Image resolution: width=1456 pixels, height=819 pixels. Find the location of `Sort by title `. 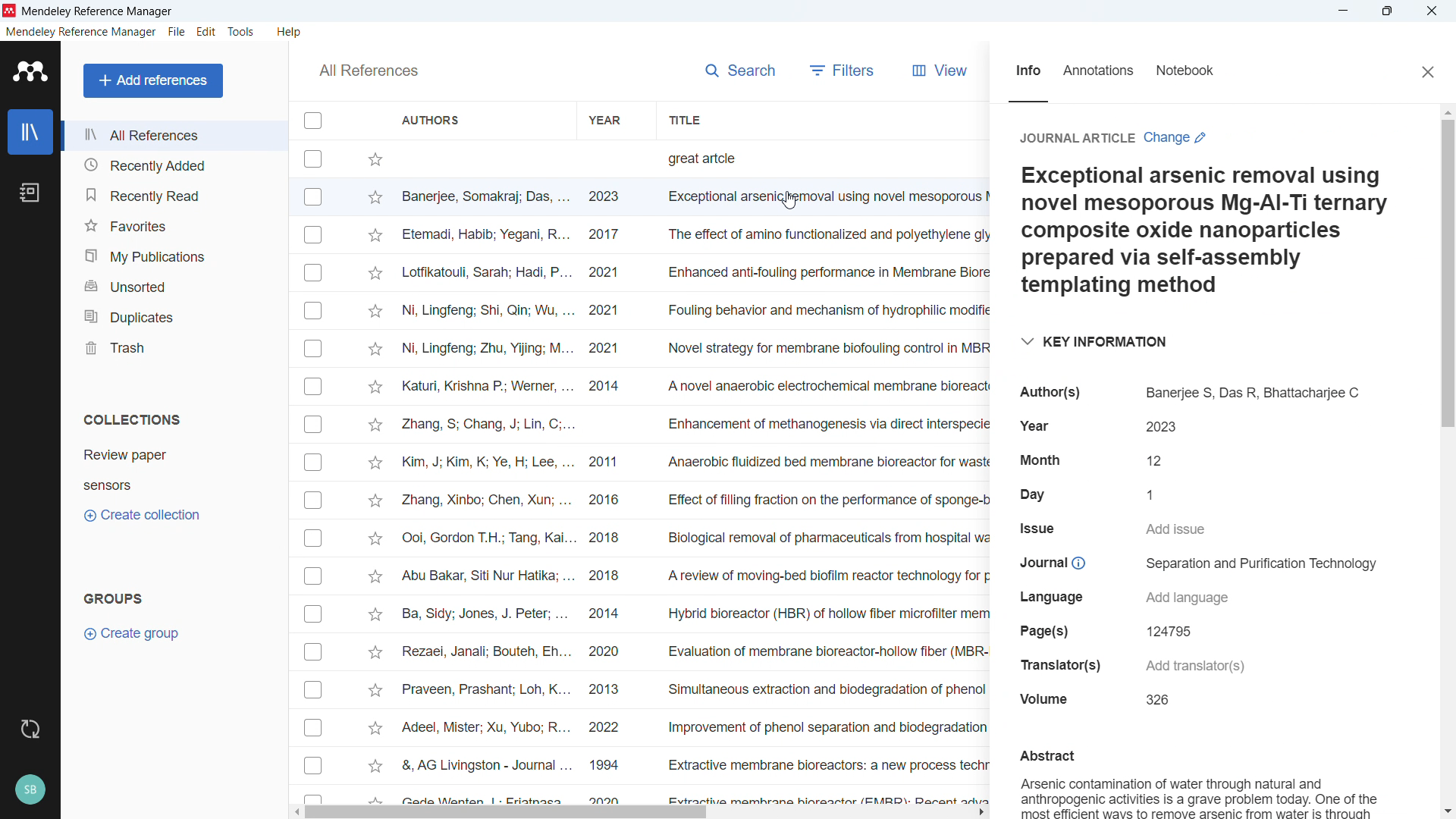

Sort by title  is located at coordinates (685, 119).